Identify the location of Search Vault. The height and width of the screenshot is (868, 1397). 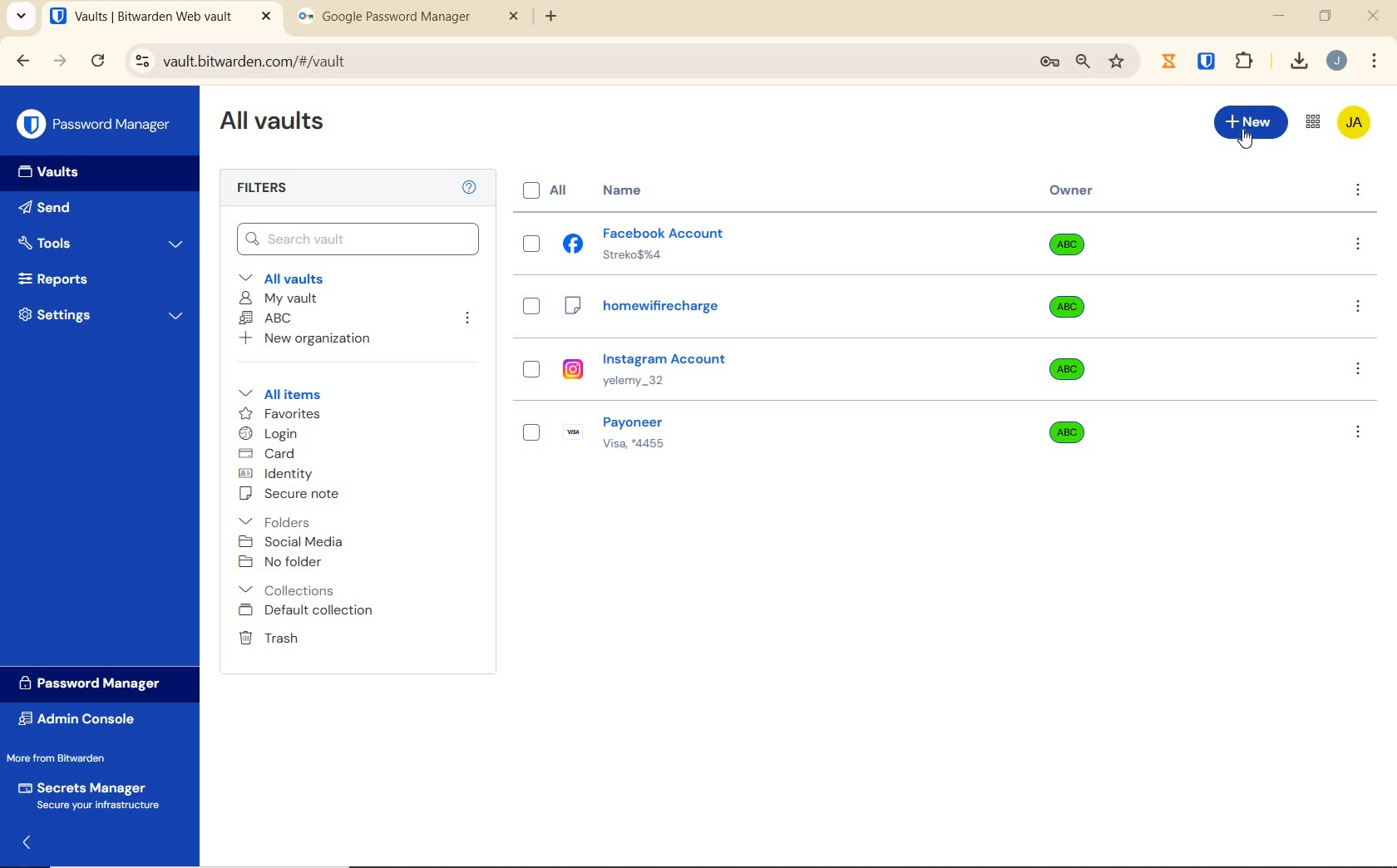
(358, 239).